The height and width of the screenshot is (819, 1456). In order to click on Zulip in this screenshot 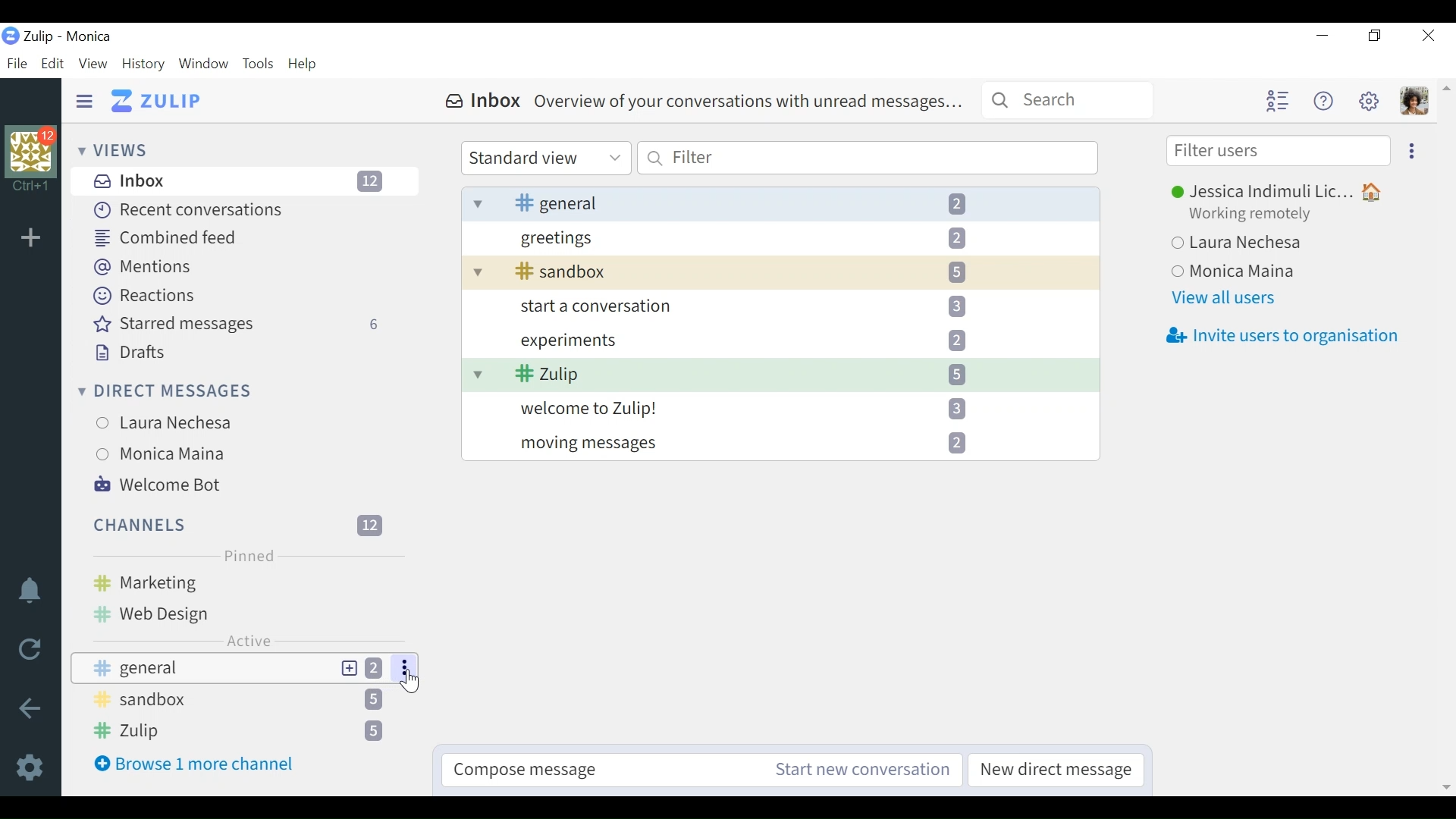, I will do `click(158, 102)`.